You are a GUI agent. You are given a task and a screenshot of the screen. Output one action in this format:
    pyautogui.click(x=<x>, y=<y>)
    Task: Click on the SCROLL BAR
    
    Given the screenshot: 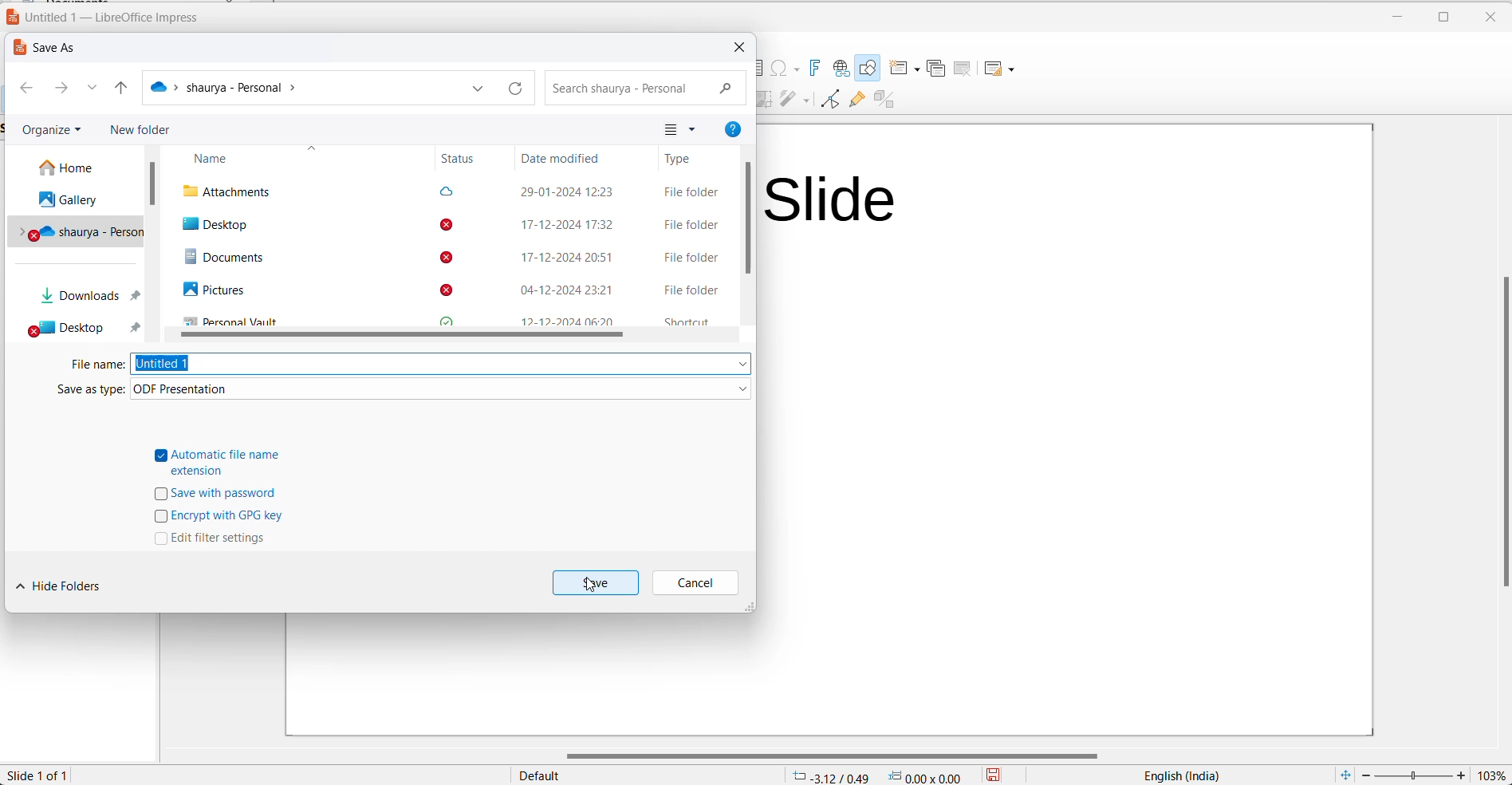 What is the action you would take?
    pyautogui.click(x=152, y=183)
    